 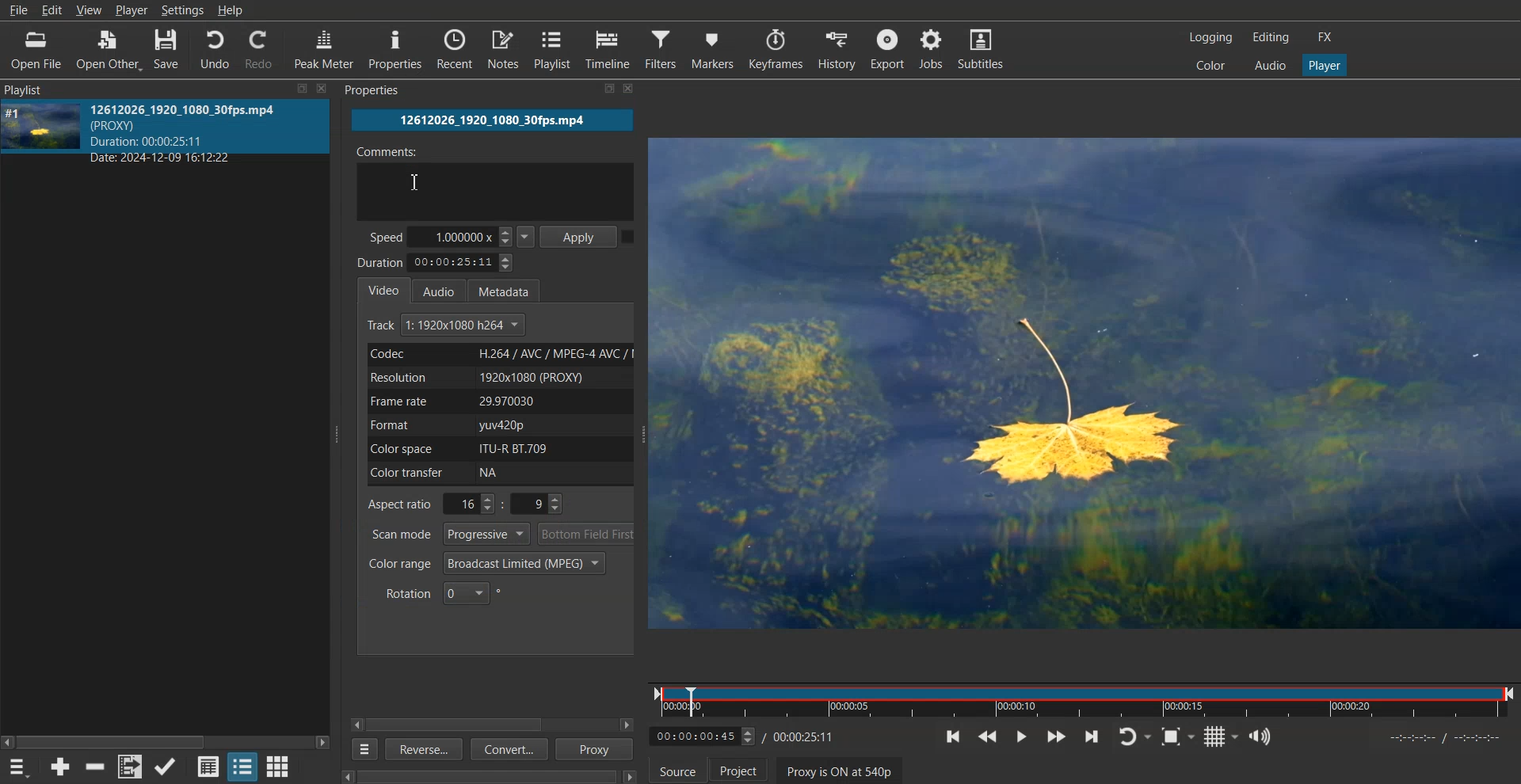 I want to click on Filters, so click(x=661, y=48).